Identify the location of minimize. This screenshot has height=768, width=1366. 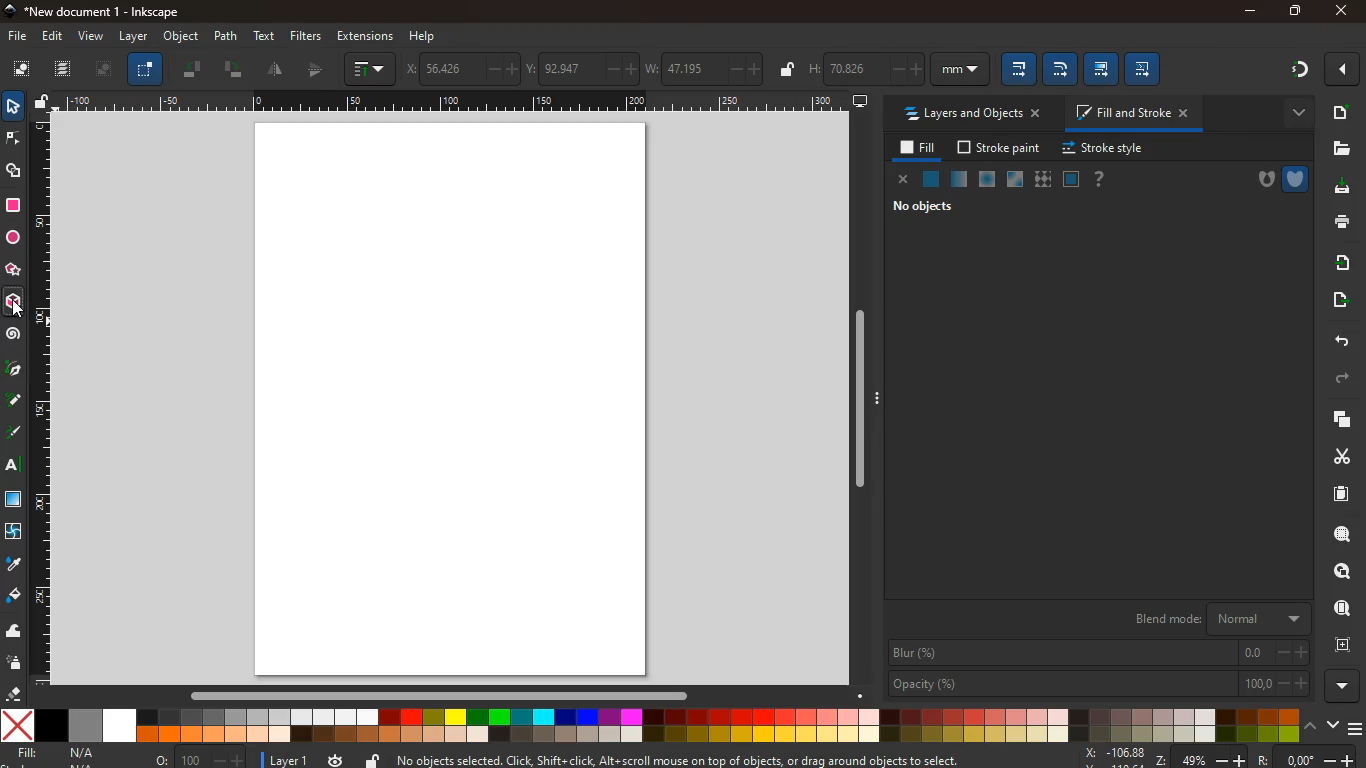
(1250, 11).